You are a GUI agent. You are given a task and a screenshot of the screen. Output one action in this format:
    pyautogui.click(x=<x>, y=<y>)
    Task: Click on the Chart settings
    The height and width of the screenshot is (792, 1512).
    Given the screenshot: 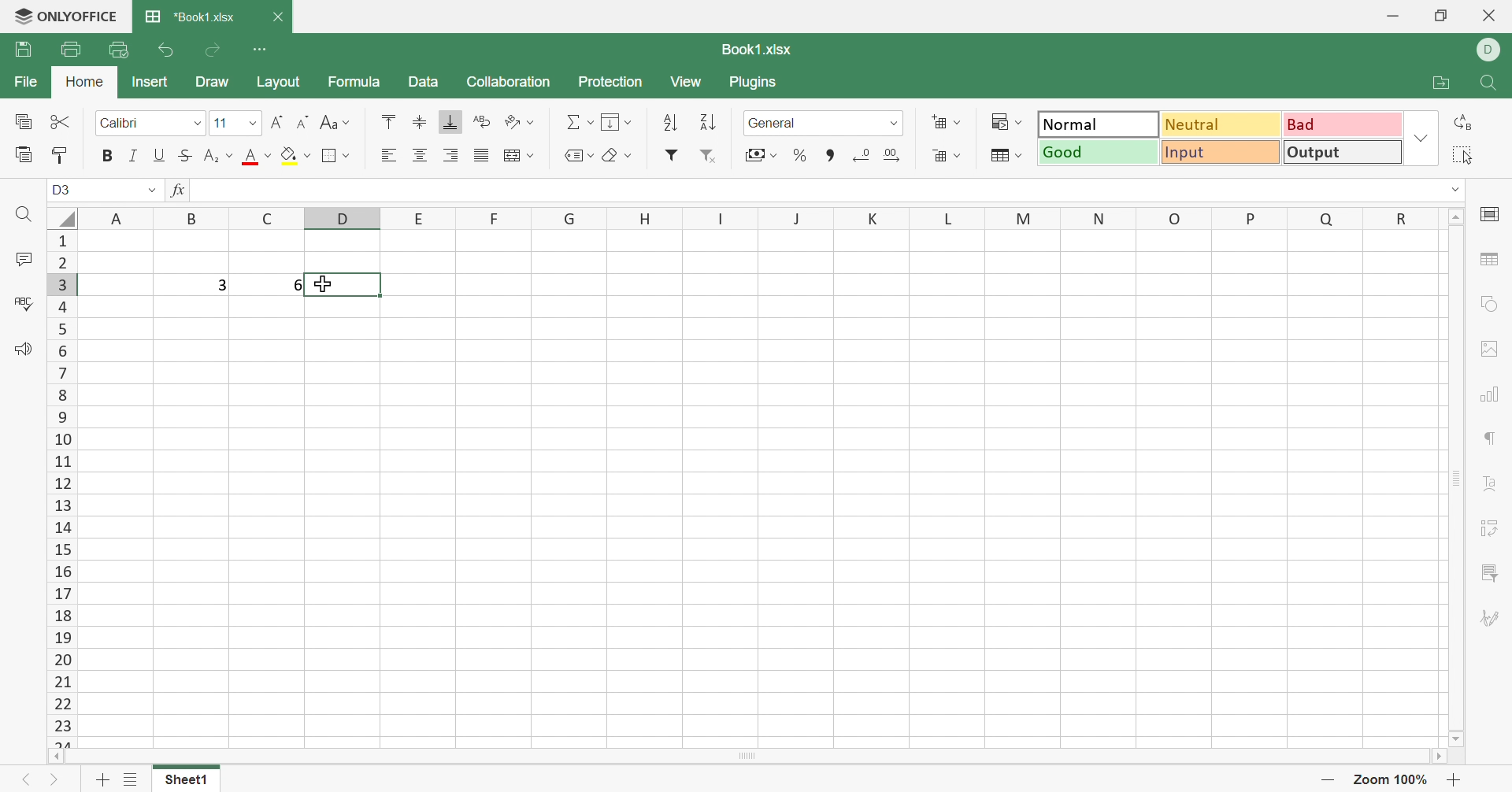 What is the action you would take?
    pyautogui.click(x=1493, y=396)
    